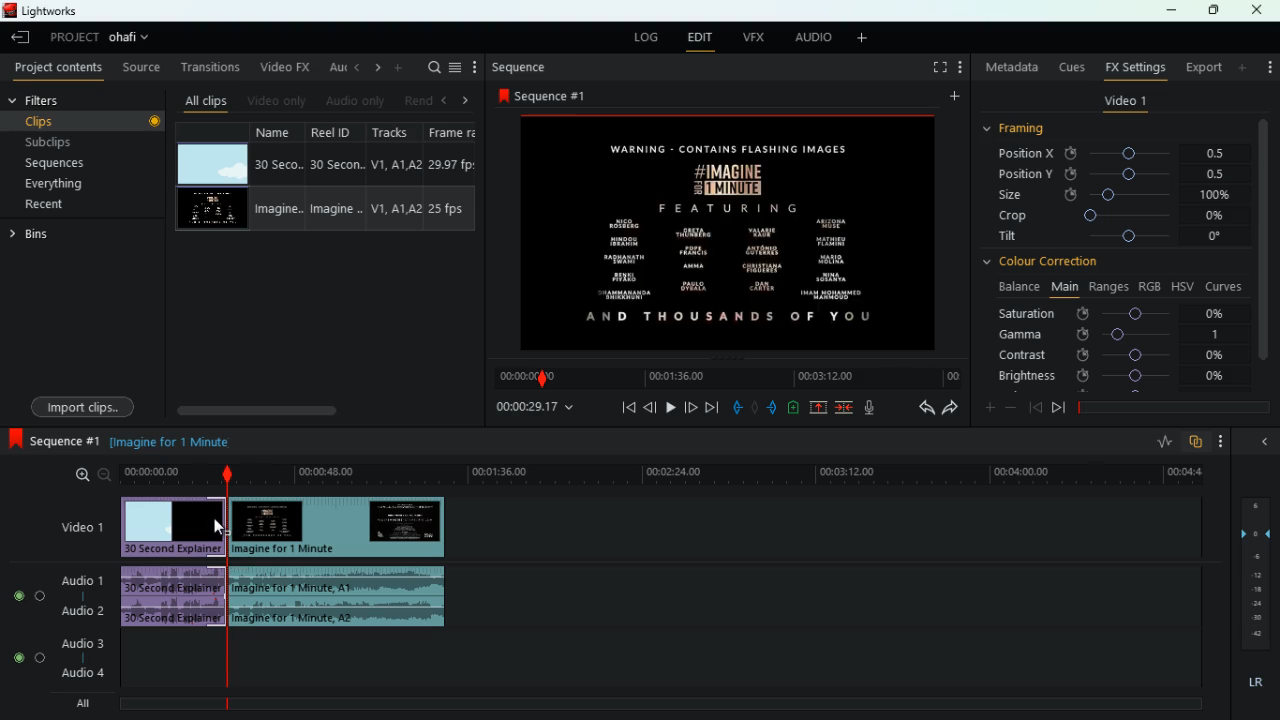 This screenshot has height=720, width=1280. I want to click on scroll, so click(321, 410).